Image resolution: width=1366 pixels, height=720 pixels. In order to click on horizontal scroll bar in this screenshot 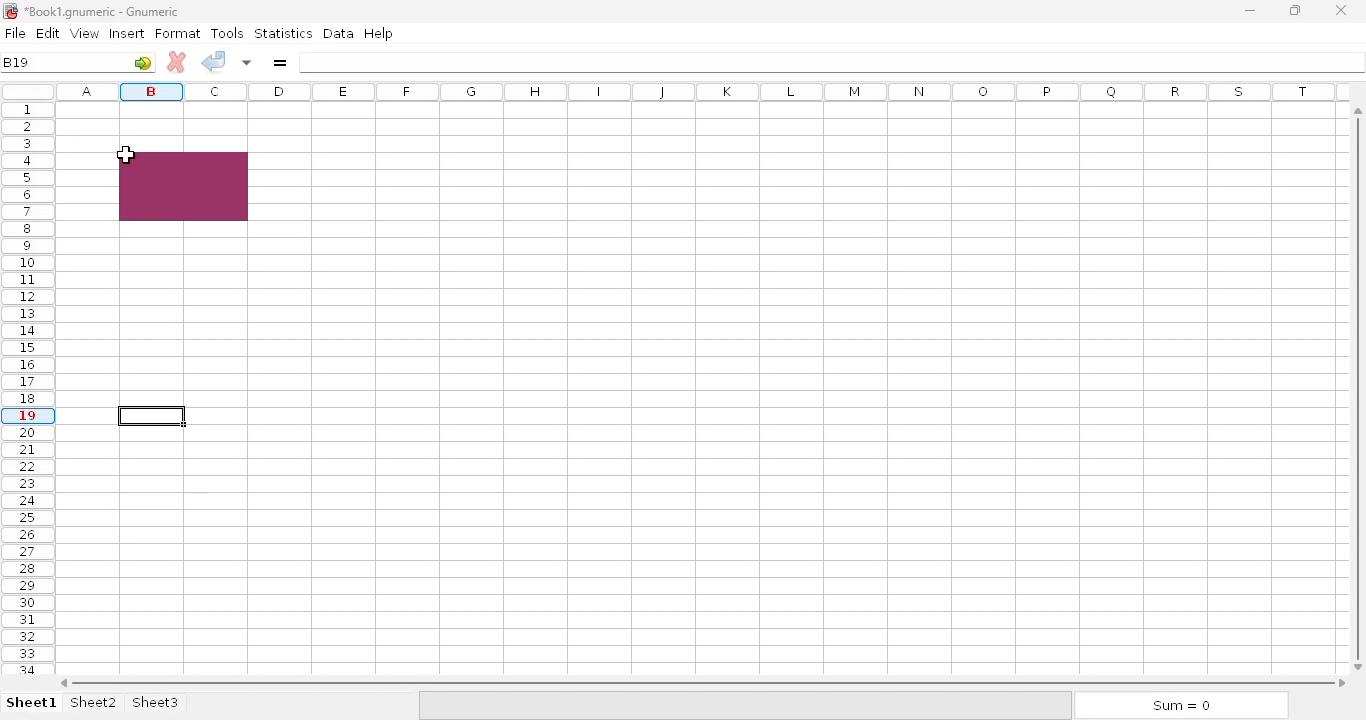, I will do `click(705, 682)`.